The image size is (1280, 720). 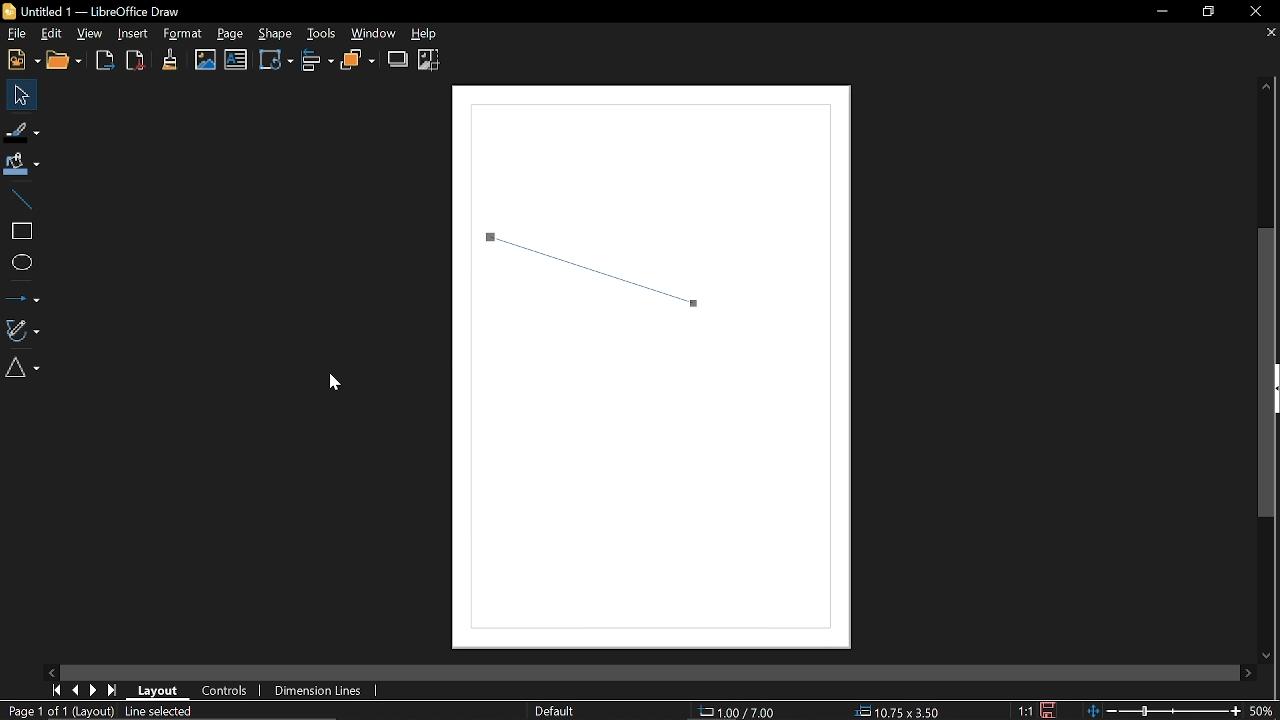 What do you see at coordinates (20, 131) in the screenshot?
I see `Fll line` at bounding box center [20, 131].